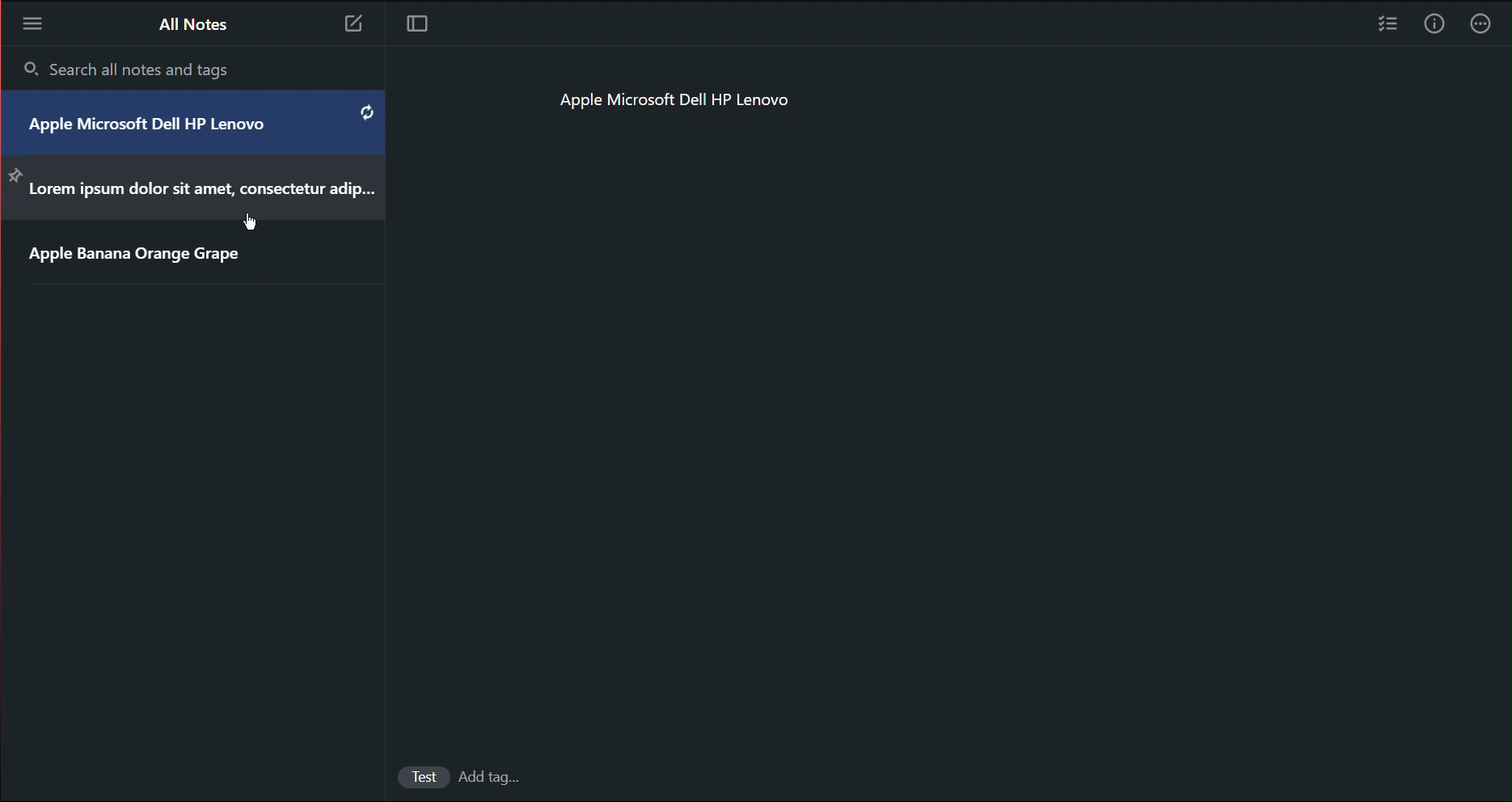  Describe the element at coordinates (251, 223) in the screenshot. I see `Cursor` at that location.